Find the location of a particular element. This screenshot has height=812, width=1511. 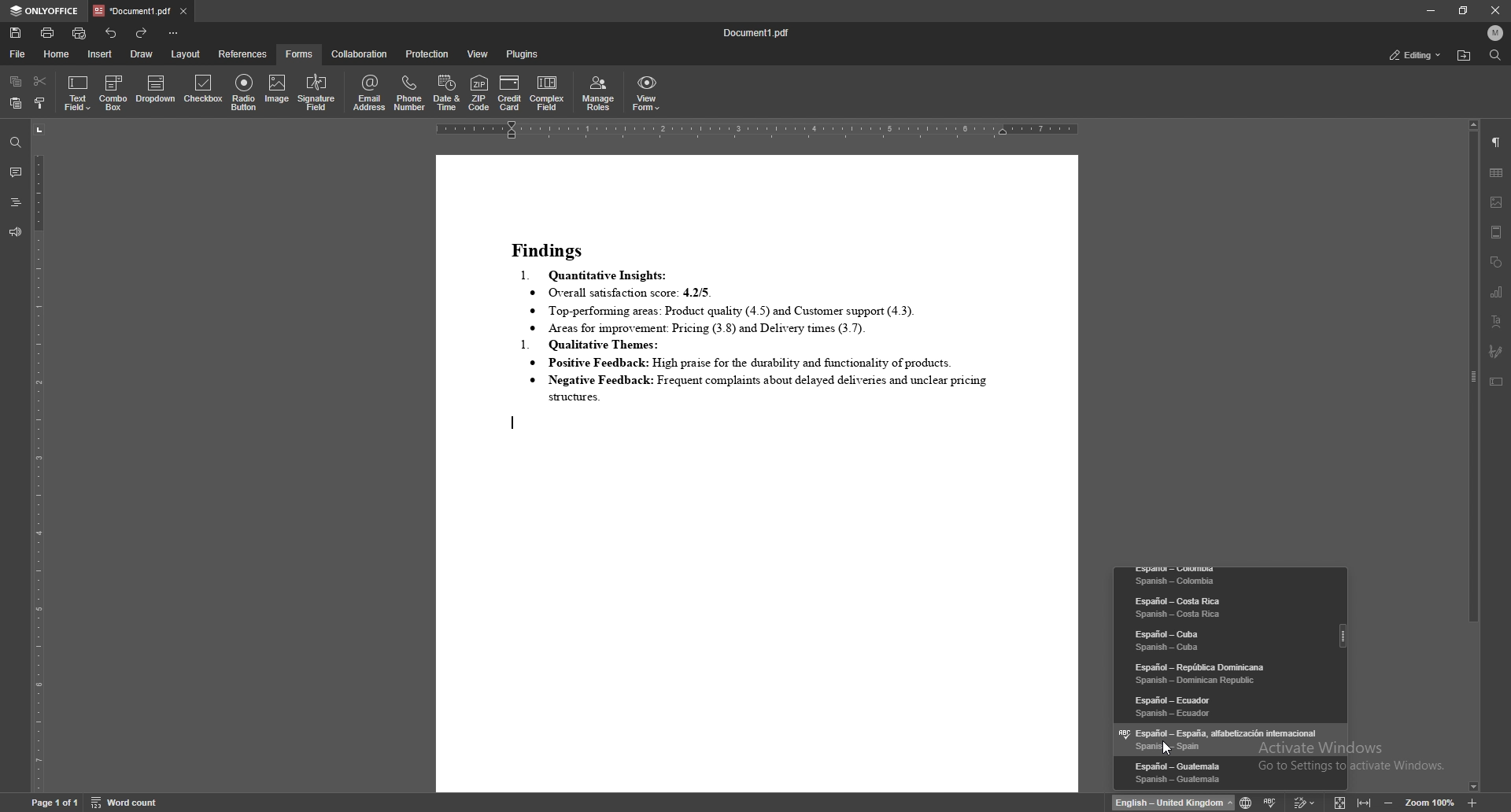

paragraph is located at coordinates (1495, 142).